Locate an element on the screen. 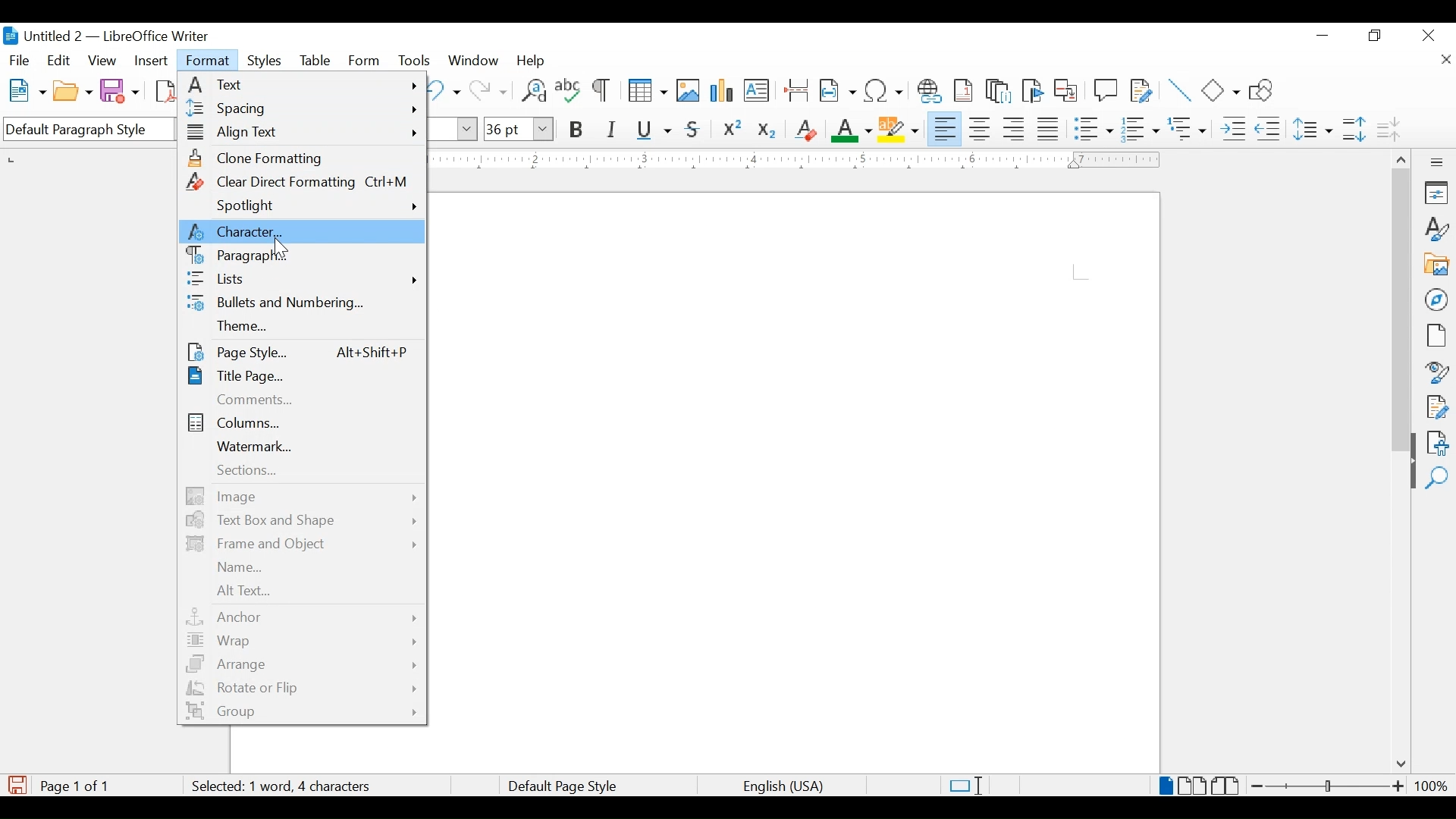  show track changes functions is located at coordinates (1141, 89).